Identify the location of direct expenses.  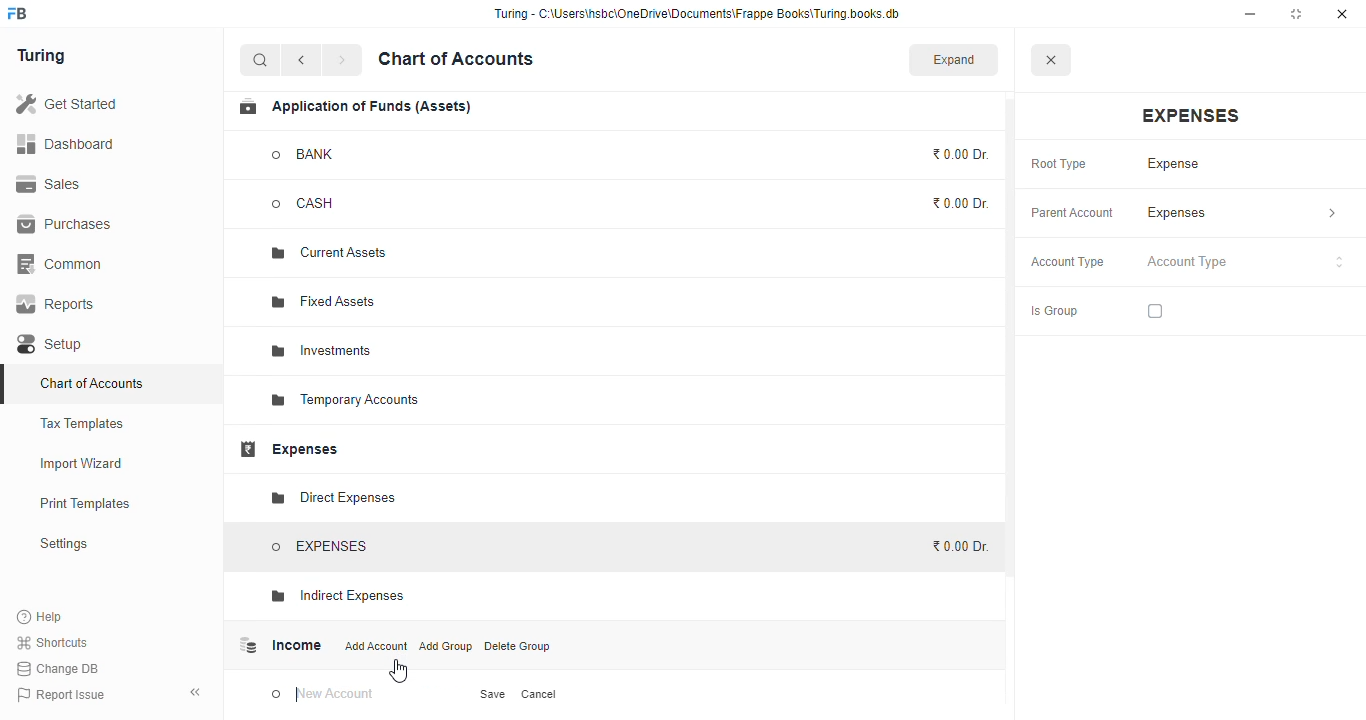
(332, 498).